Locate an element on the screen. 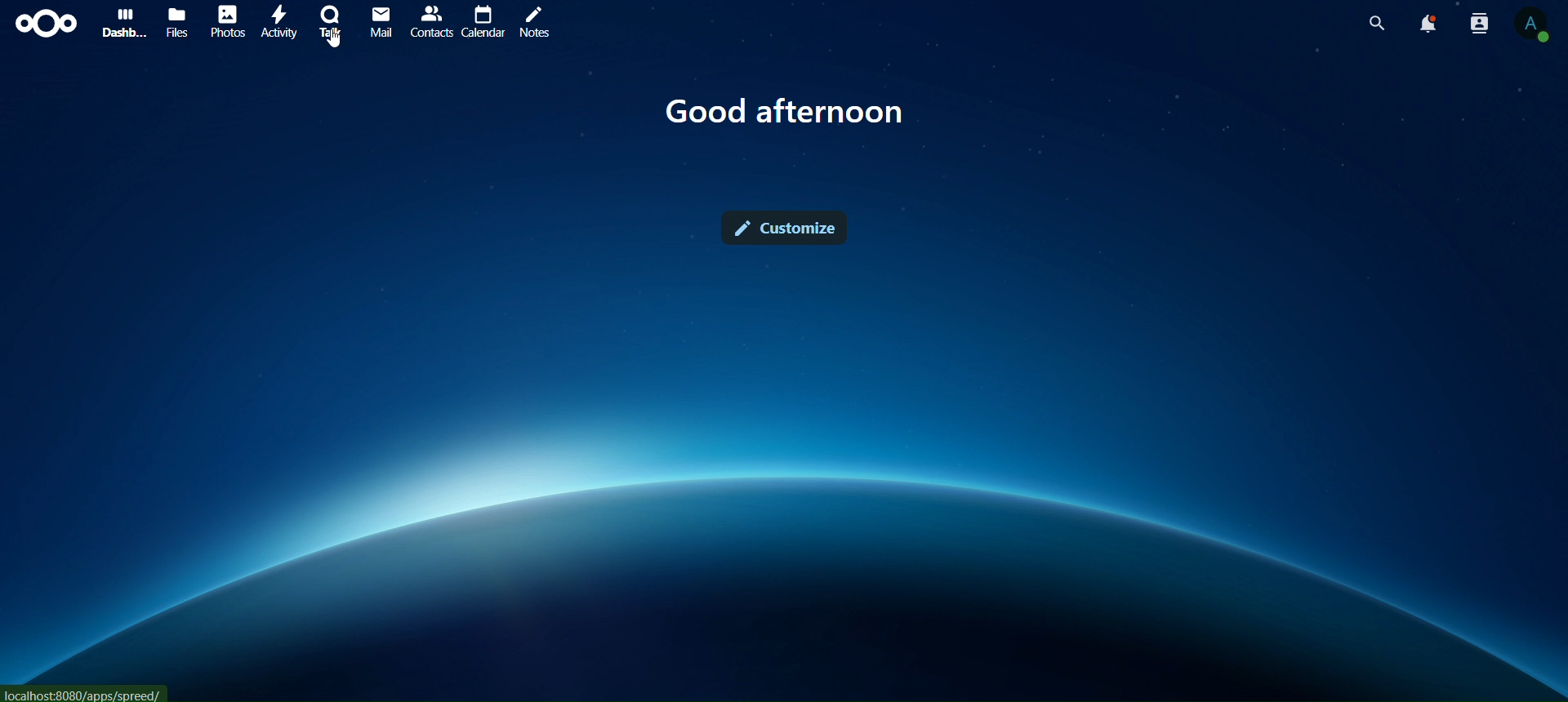 This screenshot has height=702, width=1568. dashboard is located at coordinates (120, 23).